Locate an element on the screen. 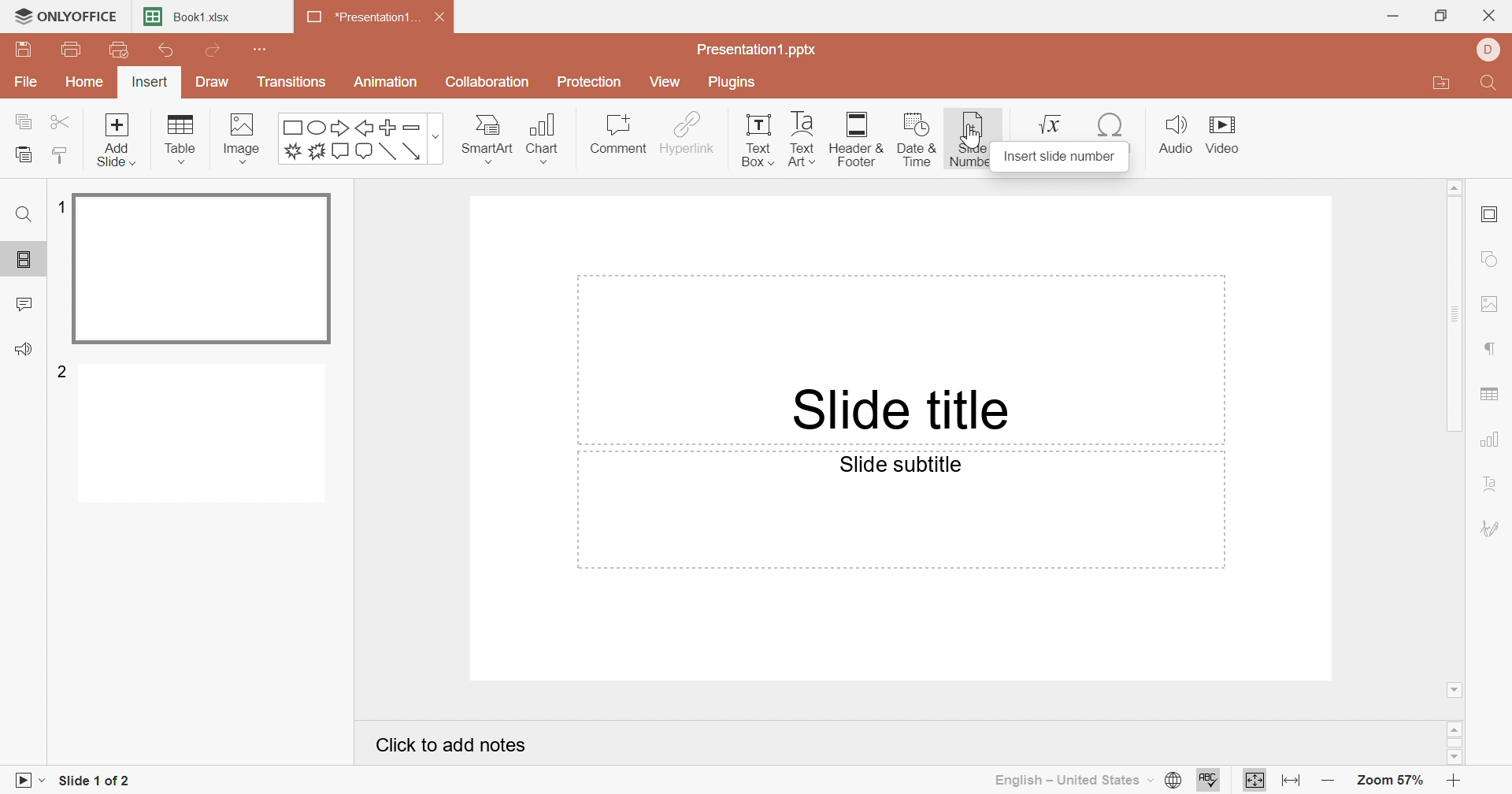 The image size is (1512, 794). Hyperlink is located at coordinates (687, 133).